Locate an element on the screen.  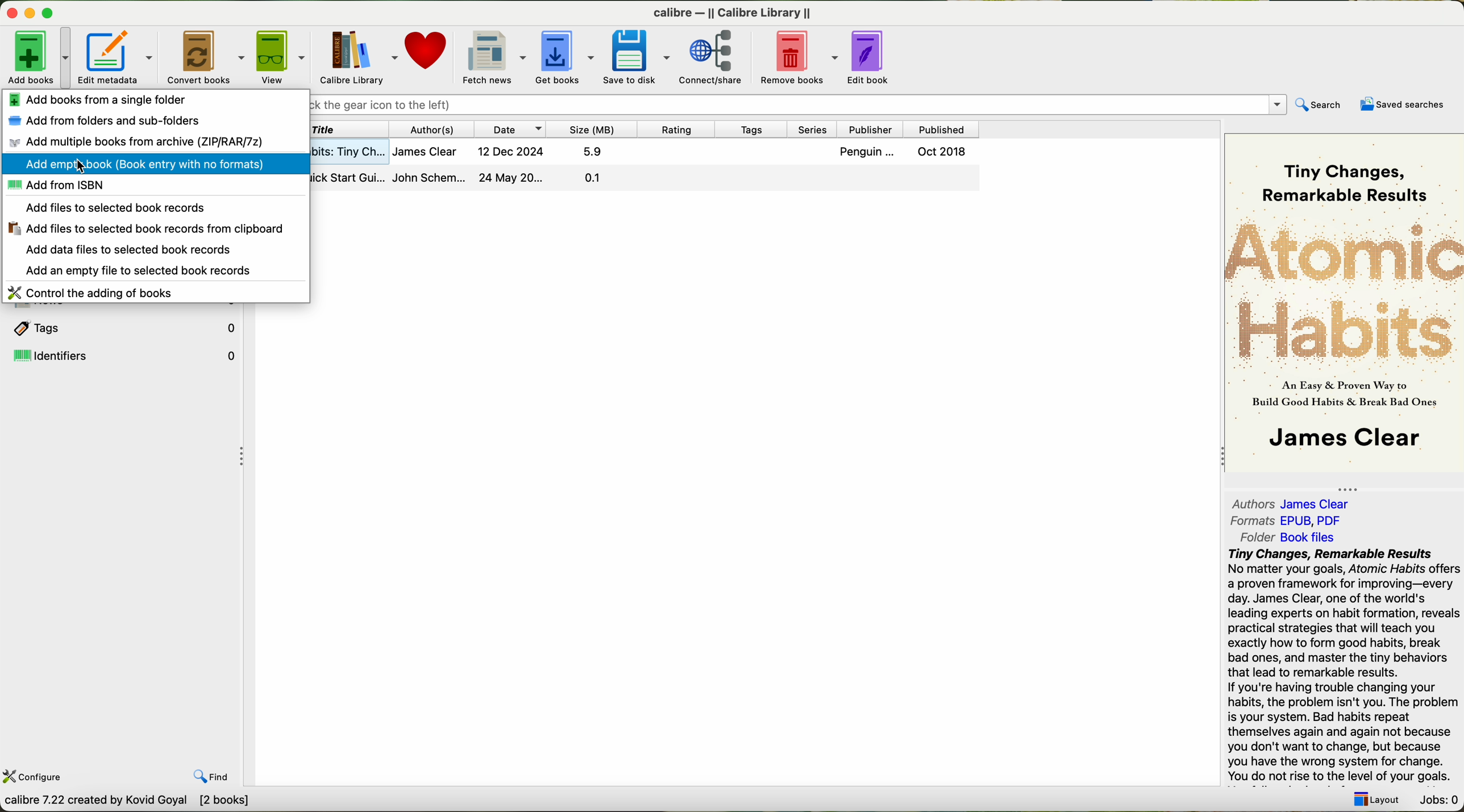
add files to selected book records is located at coordinates (118, 207).